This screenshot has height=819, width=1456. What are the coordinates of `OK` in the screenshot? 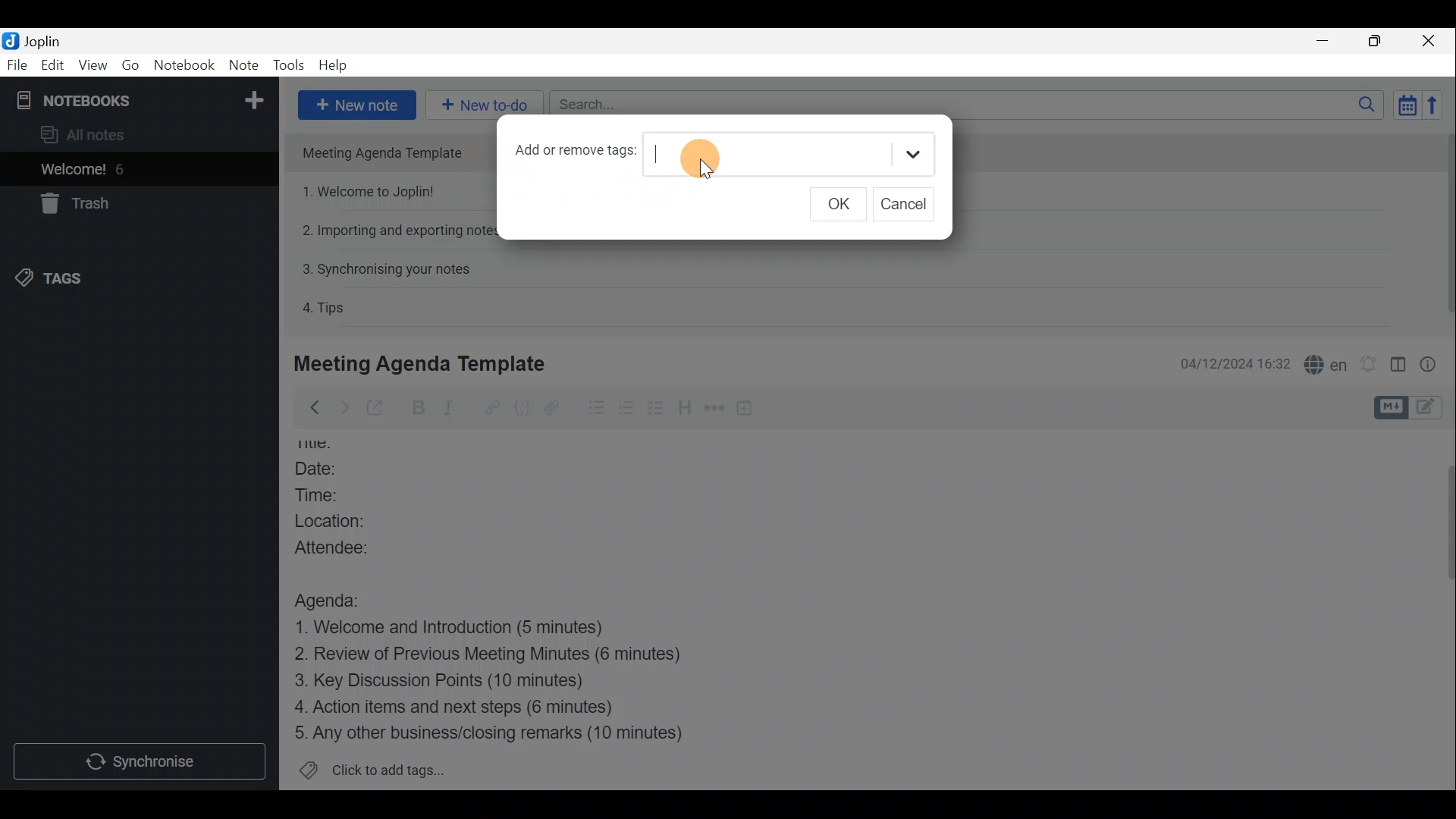 It's located at (834, 206).